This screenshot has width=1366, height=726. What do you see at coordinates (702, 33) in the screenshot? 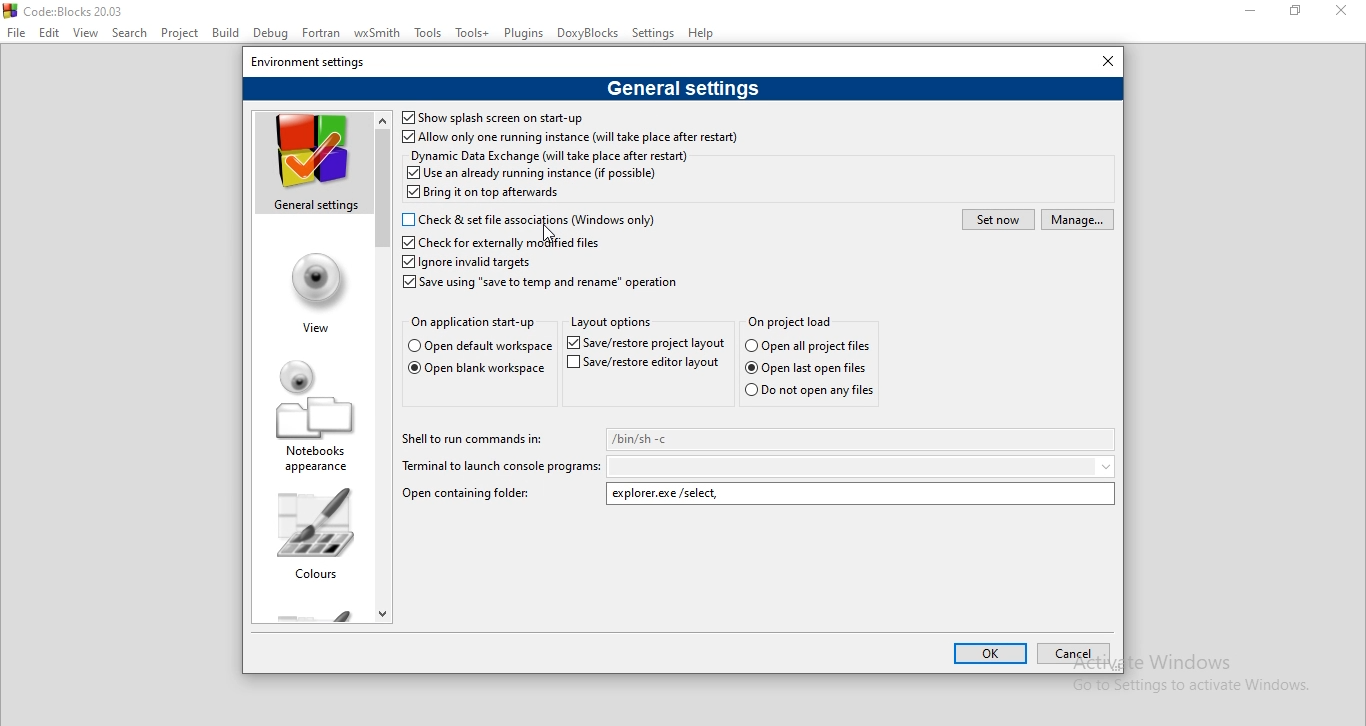
I see `Help` at bounding box center [702, 33].